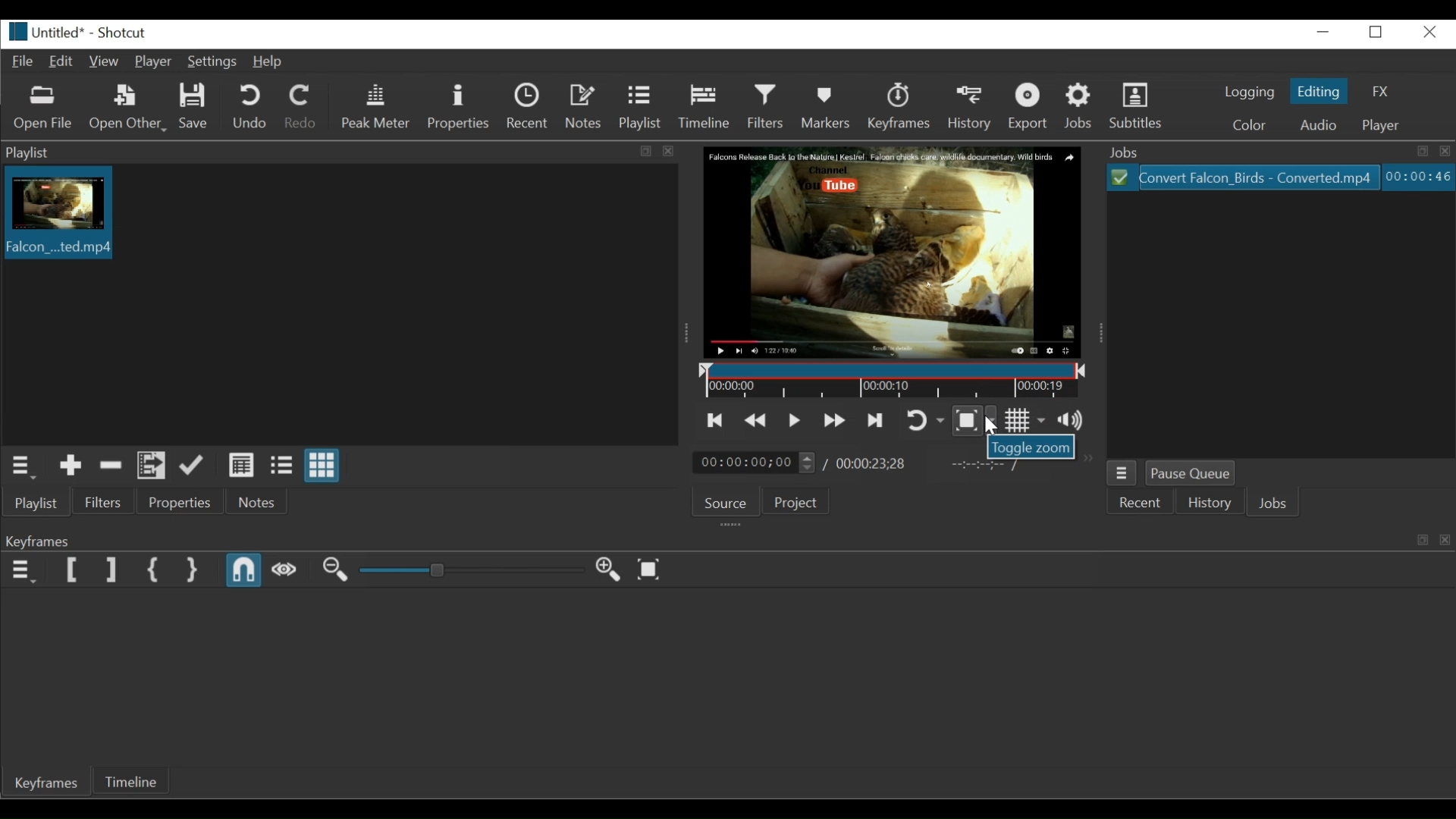  Describe the element at coordinates (991, 426) in the screenshot. I see `Cursor` at that location.